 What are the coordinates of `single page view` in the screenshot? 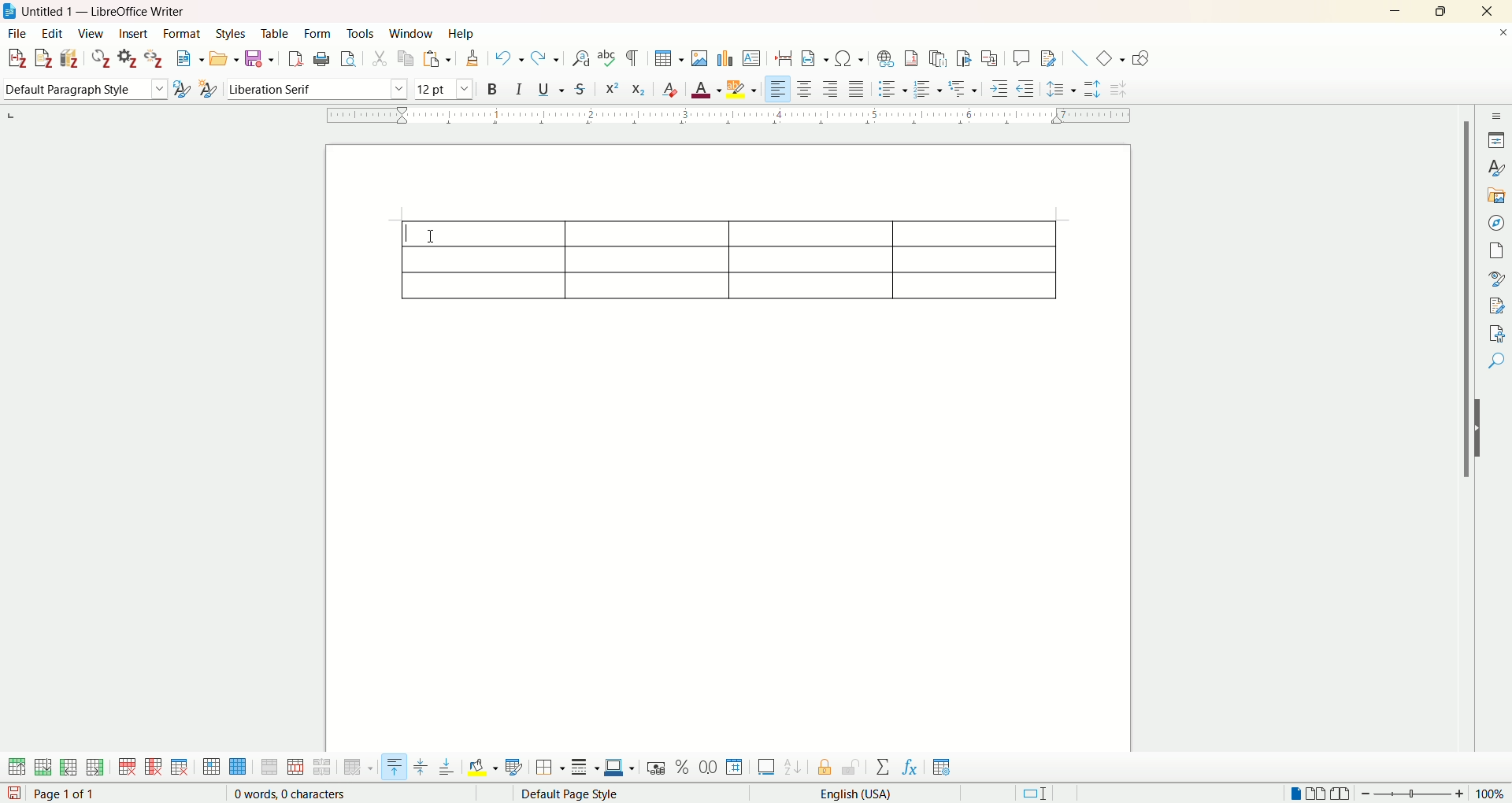 It's located at (1295, 793).